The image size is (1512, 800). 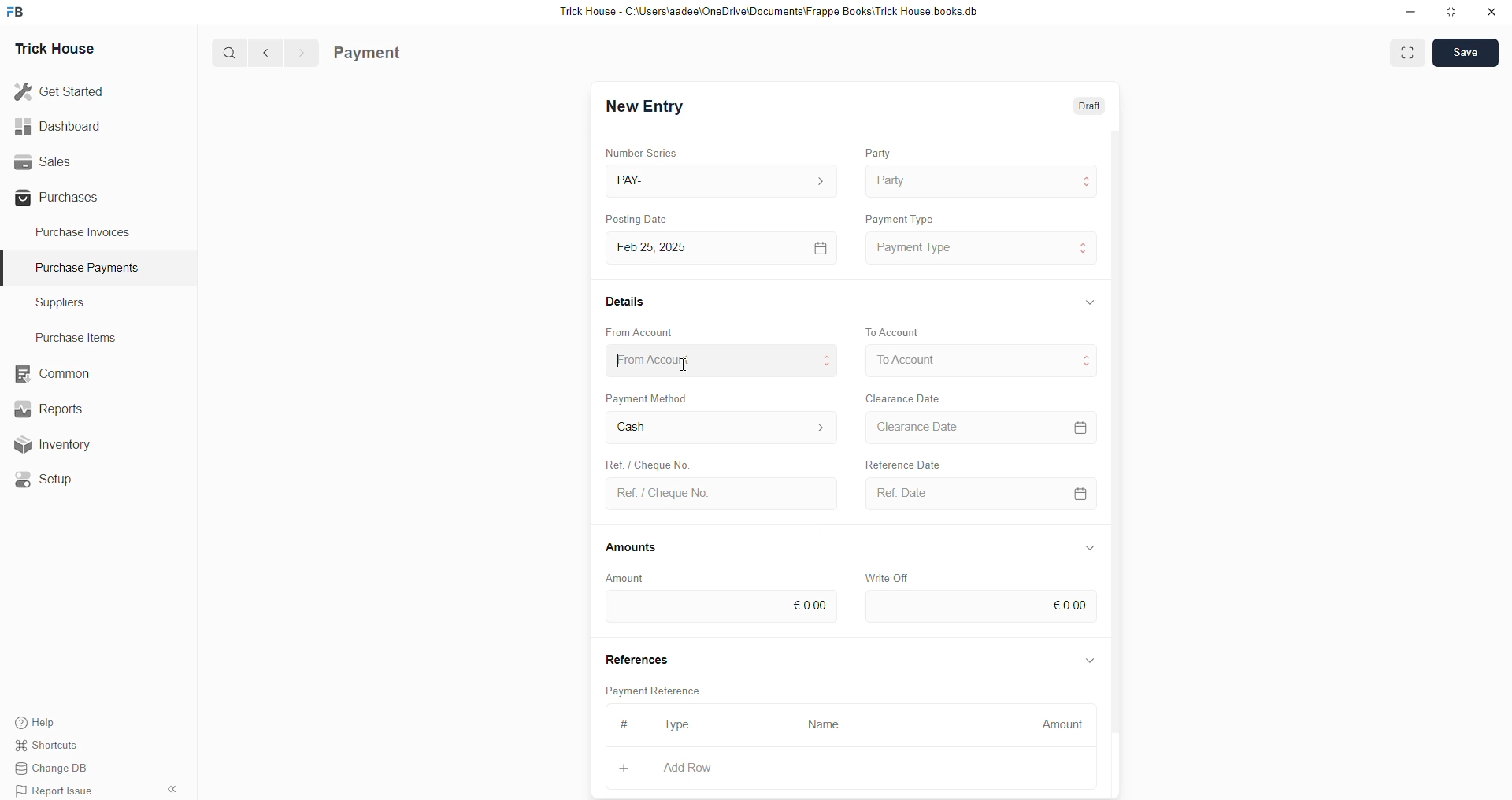 I want to click on Inventory, so click(x=61, y=448).